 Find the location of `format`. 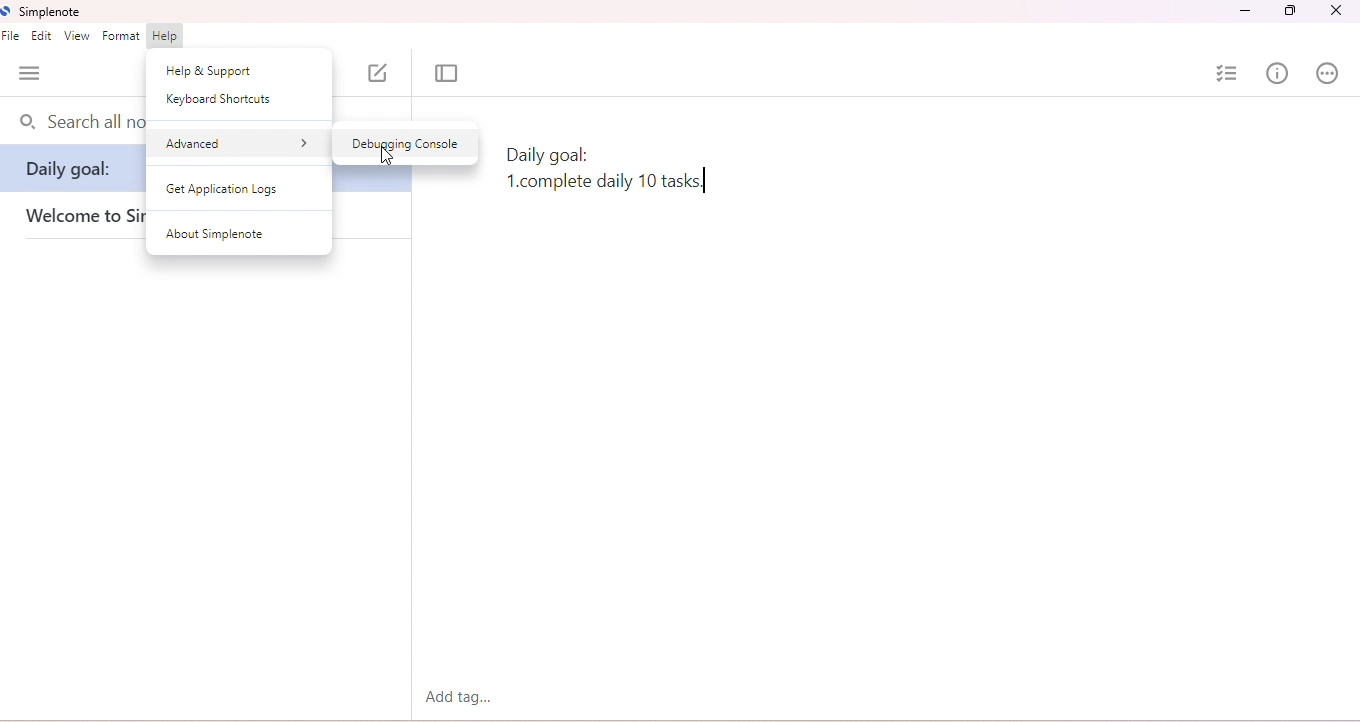

format is located at coordinates (121, 36).